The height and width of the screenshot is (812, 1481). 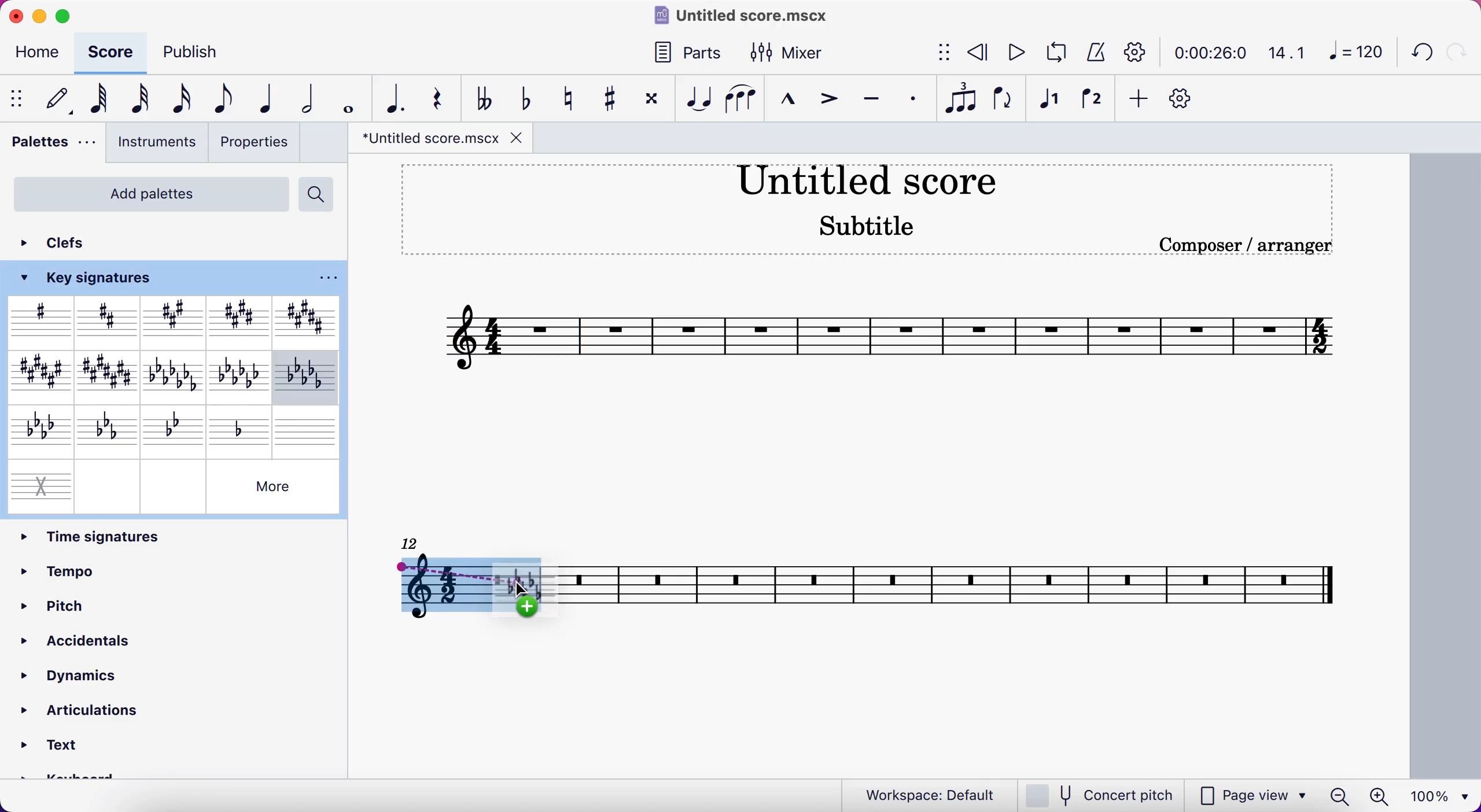 What do you see at coordinates (1354, 51) in the screenshot?
I see `120` at bounding box center [1354, 51].